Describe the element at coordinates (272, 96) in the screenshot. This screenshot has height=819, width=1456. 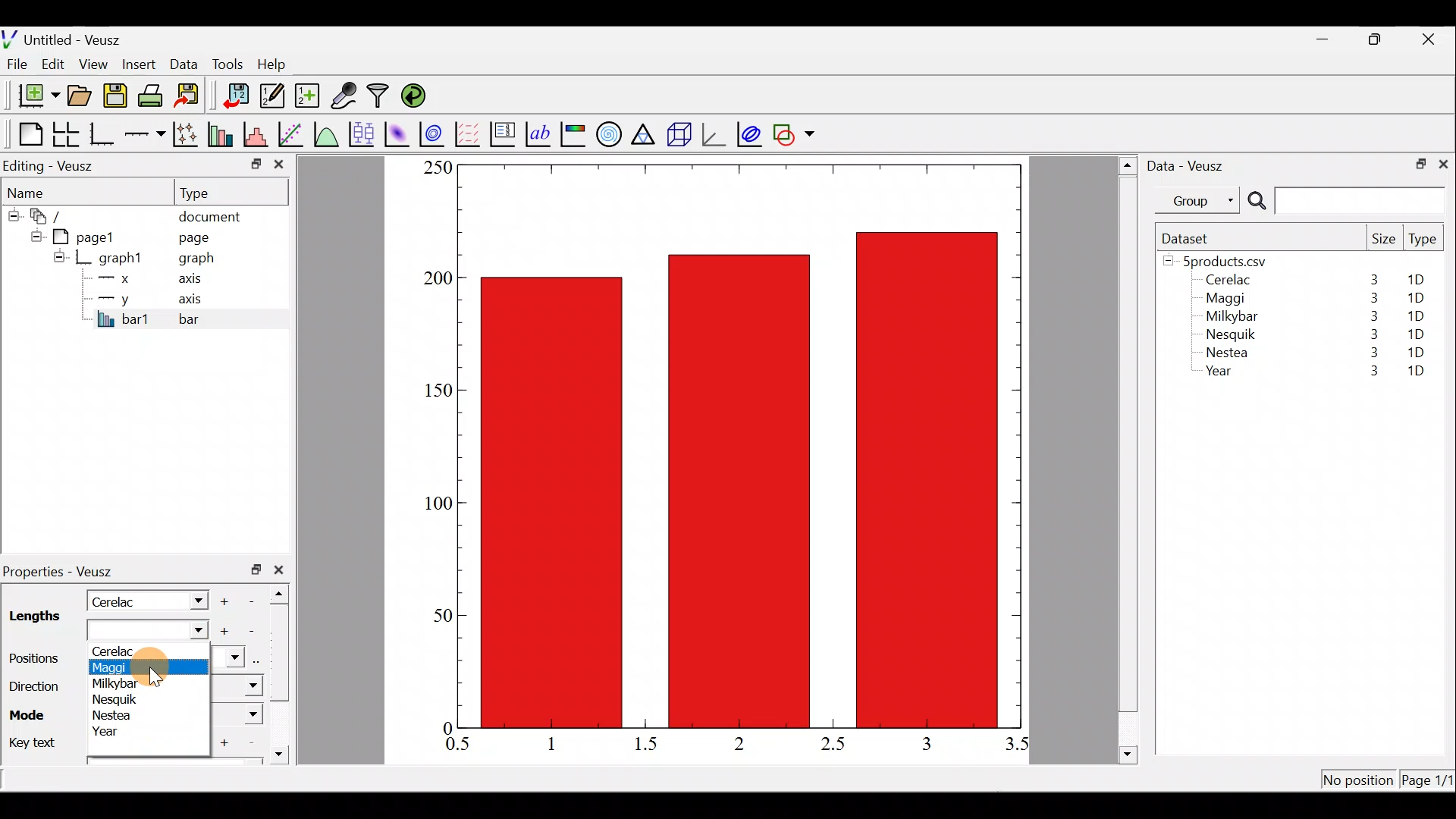
I see `Edit and enter new datasets` at that location.